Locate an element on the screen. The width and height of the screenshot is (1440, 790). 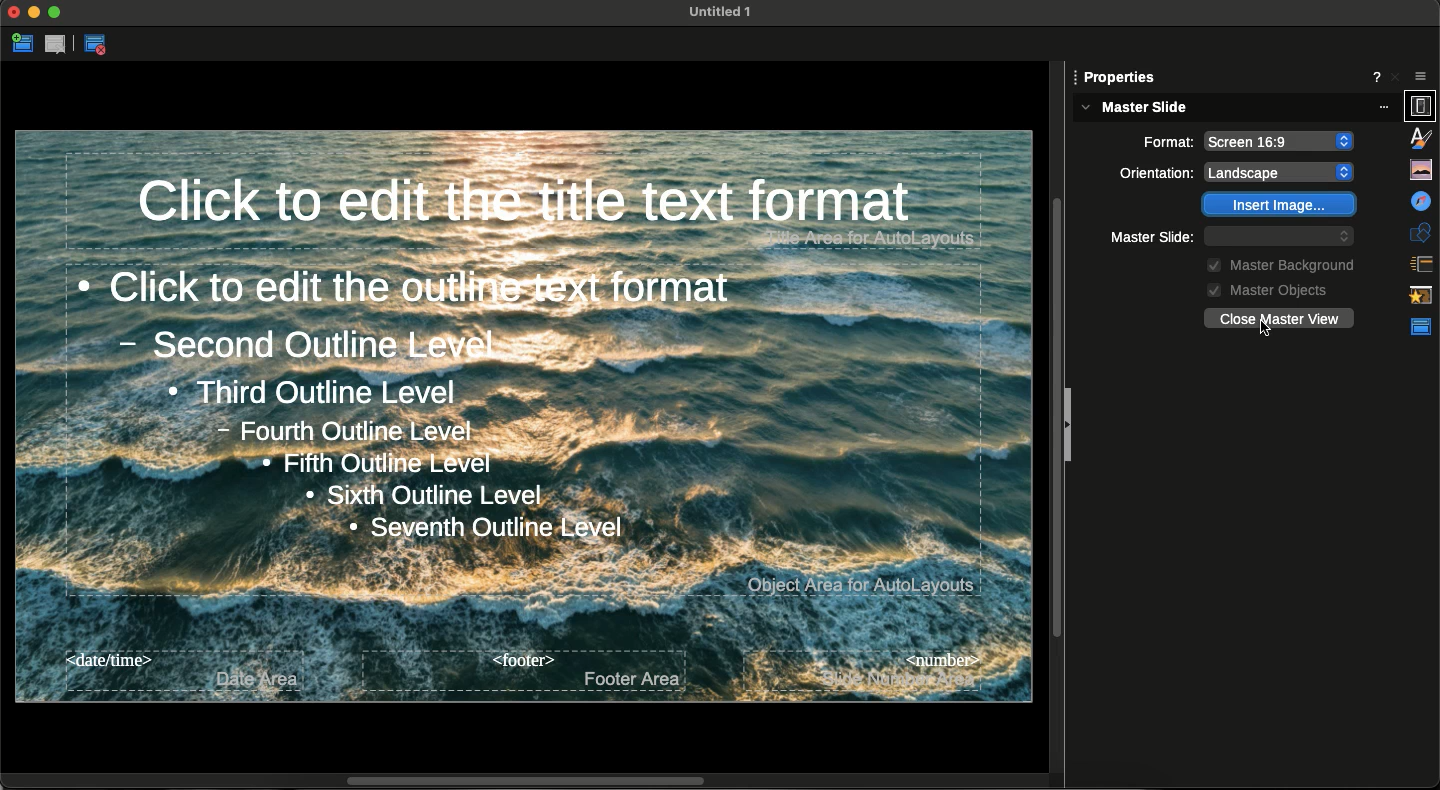
Shapes is located at coordinates (1421, 198).